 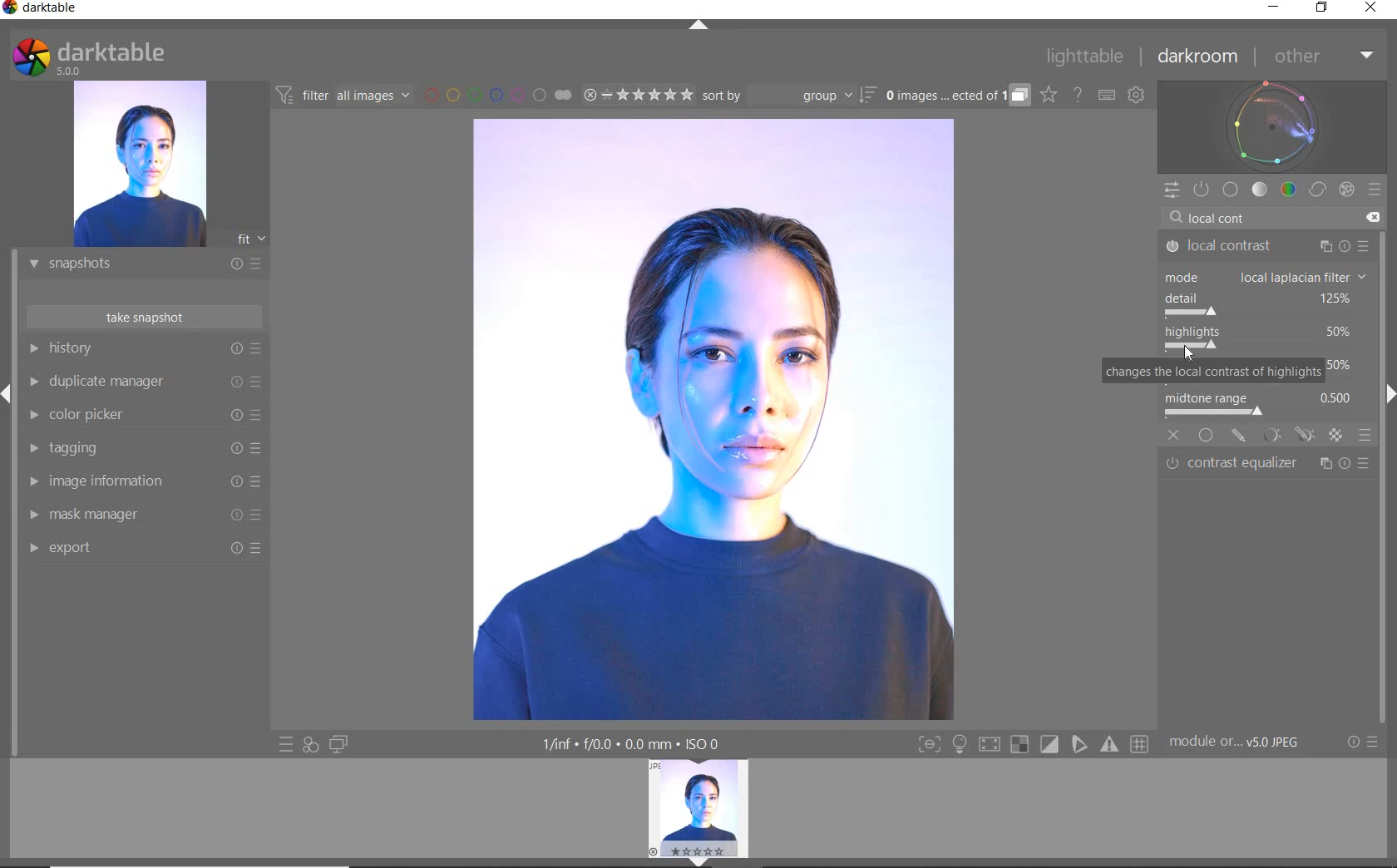 What do you see at coordinates (1372, 218) in the screenshot?
I see `Clear` at bounding box center [1372, 218].